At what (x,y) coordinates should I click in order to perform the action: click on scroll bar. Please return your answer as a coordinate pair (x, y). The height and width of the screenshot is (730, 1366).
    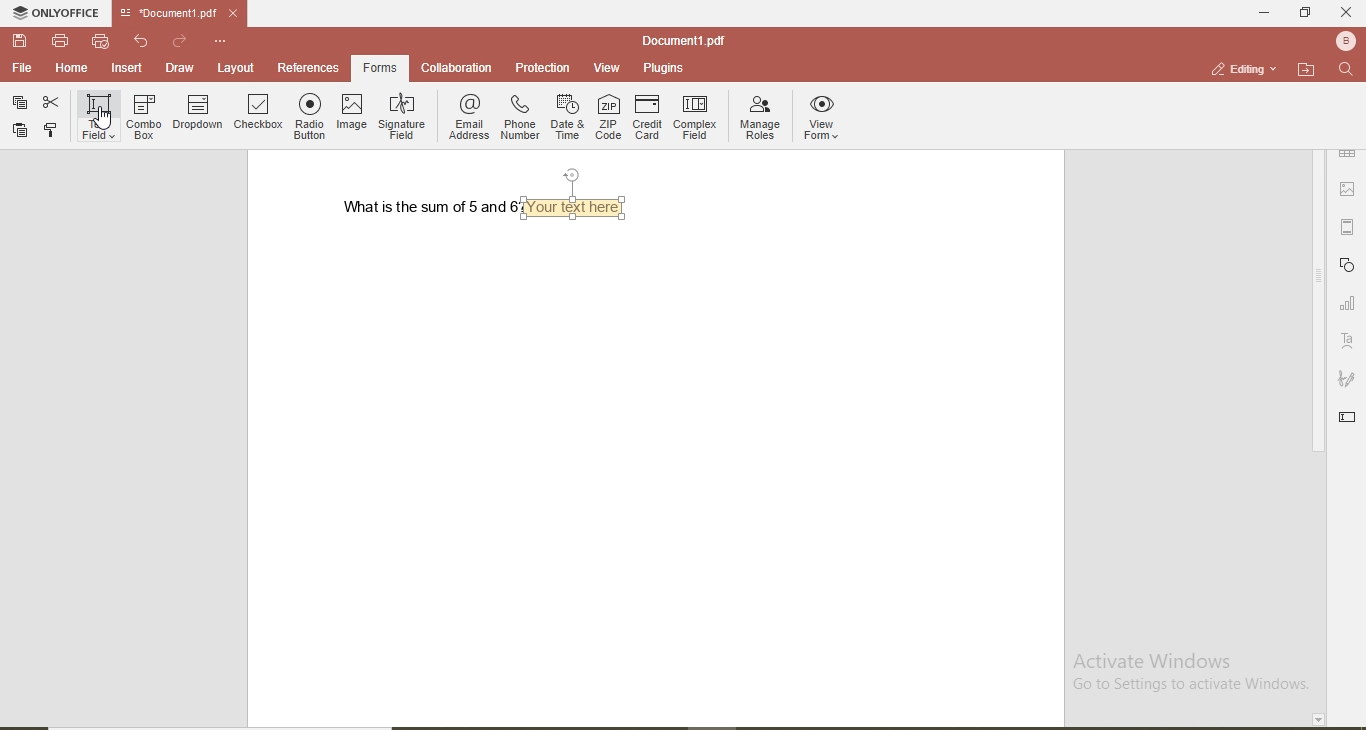
    Looking at the image, I should click on (1316, 304).